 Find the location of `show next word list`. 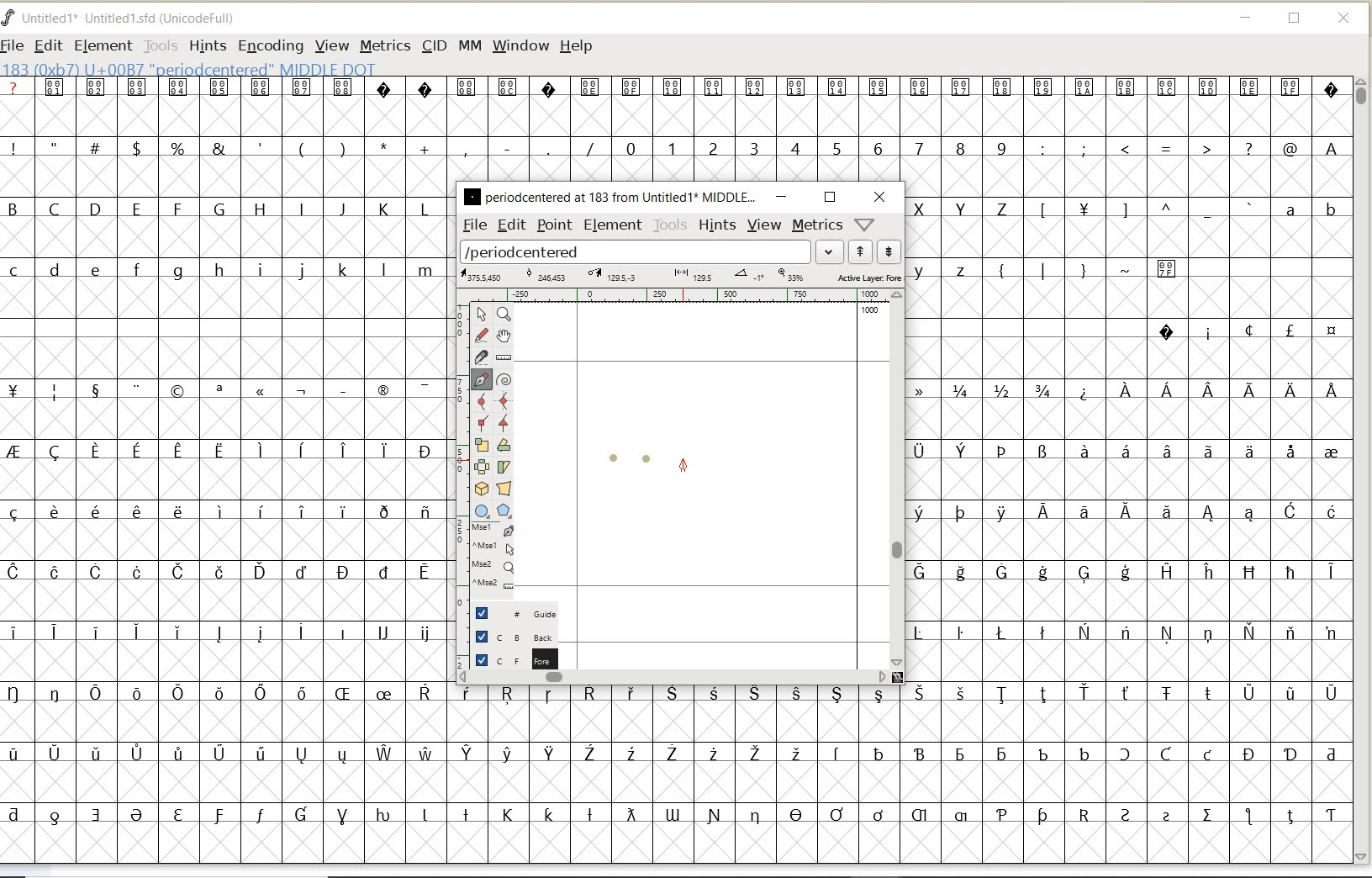

show next word list is located at coordinates (891, 252).